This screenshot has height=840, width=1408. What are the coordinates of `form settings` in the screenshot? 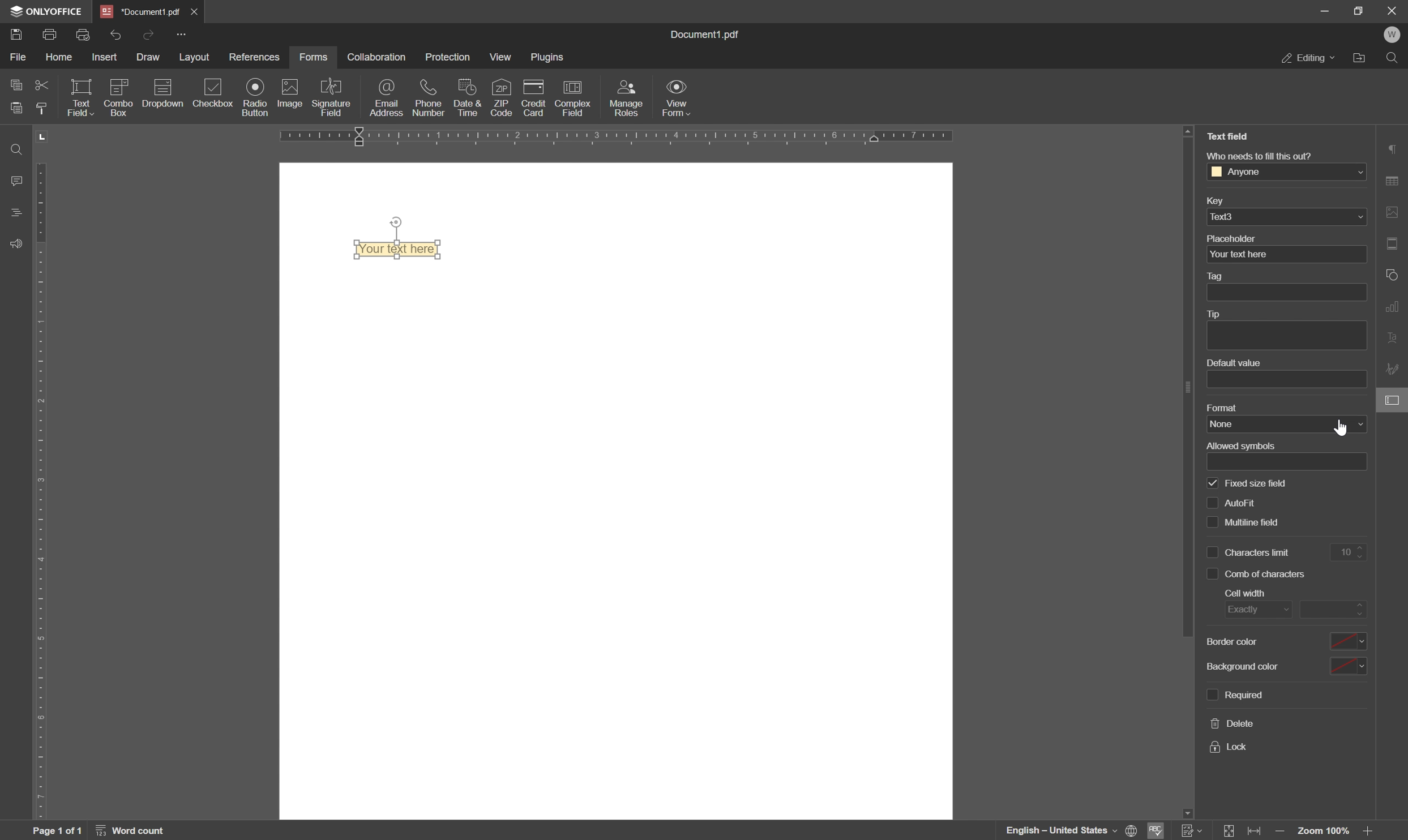 It's located at (1394, 402).